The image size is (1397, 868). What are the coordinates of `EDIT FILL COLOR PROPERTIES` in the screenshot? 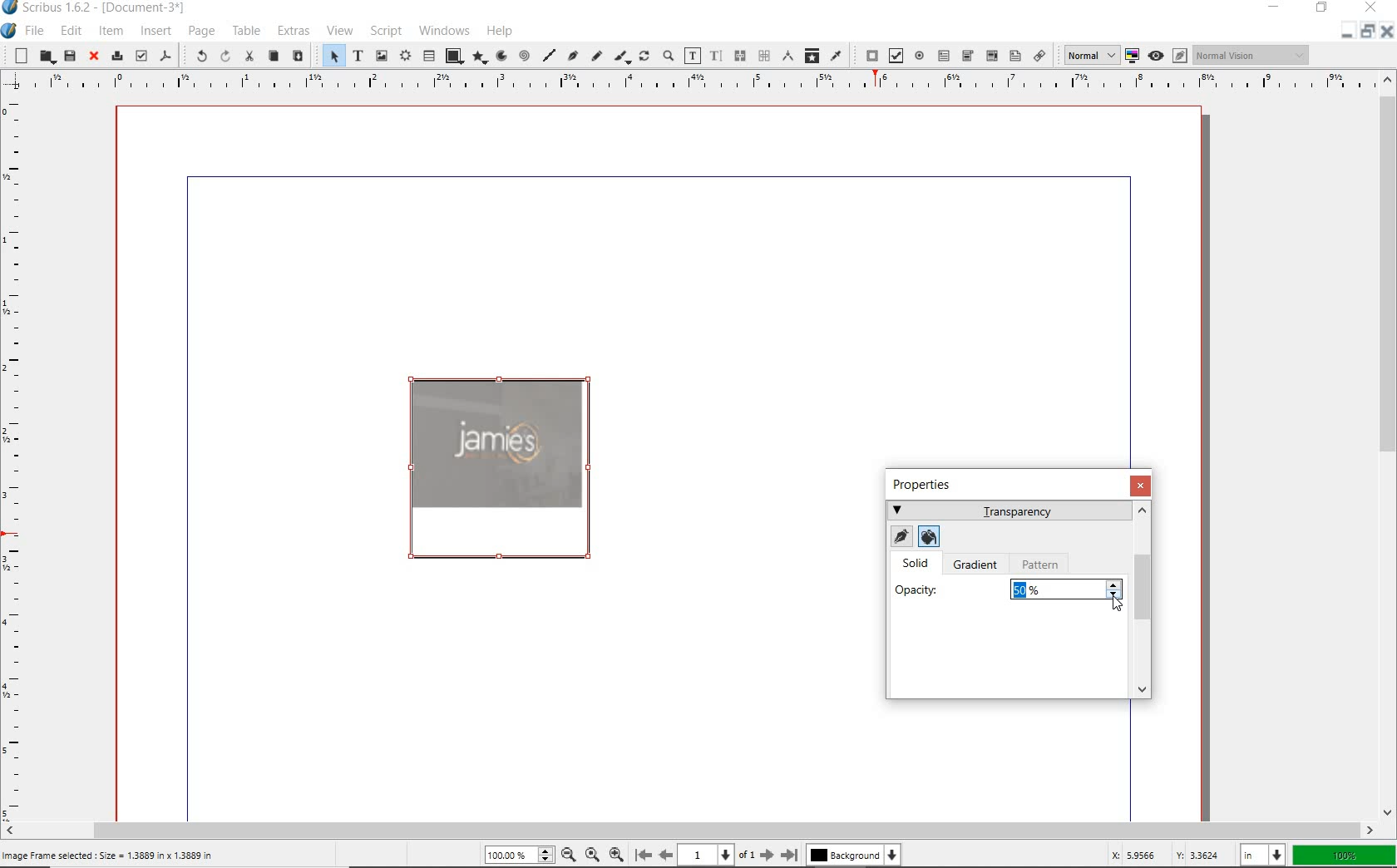 It's located at (928, 535).